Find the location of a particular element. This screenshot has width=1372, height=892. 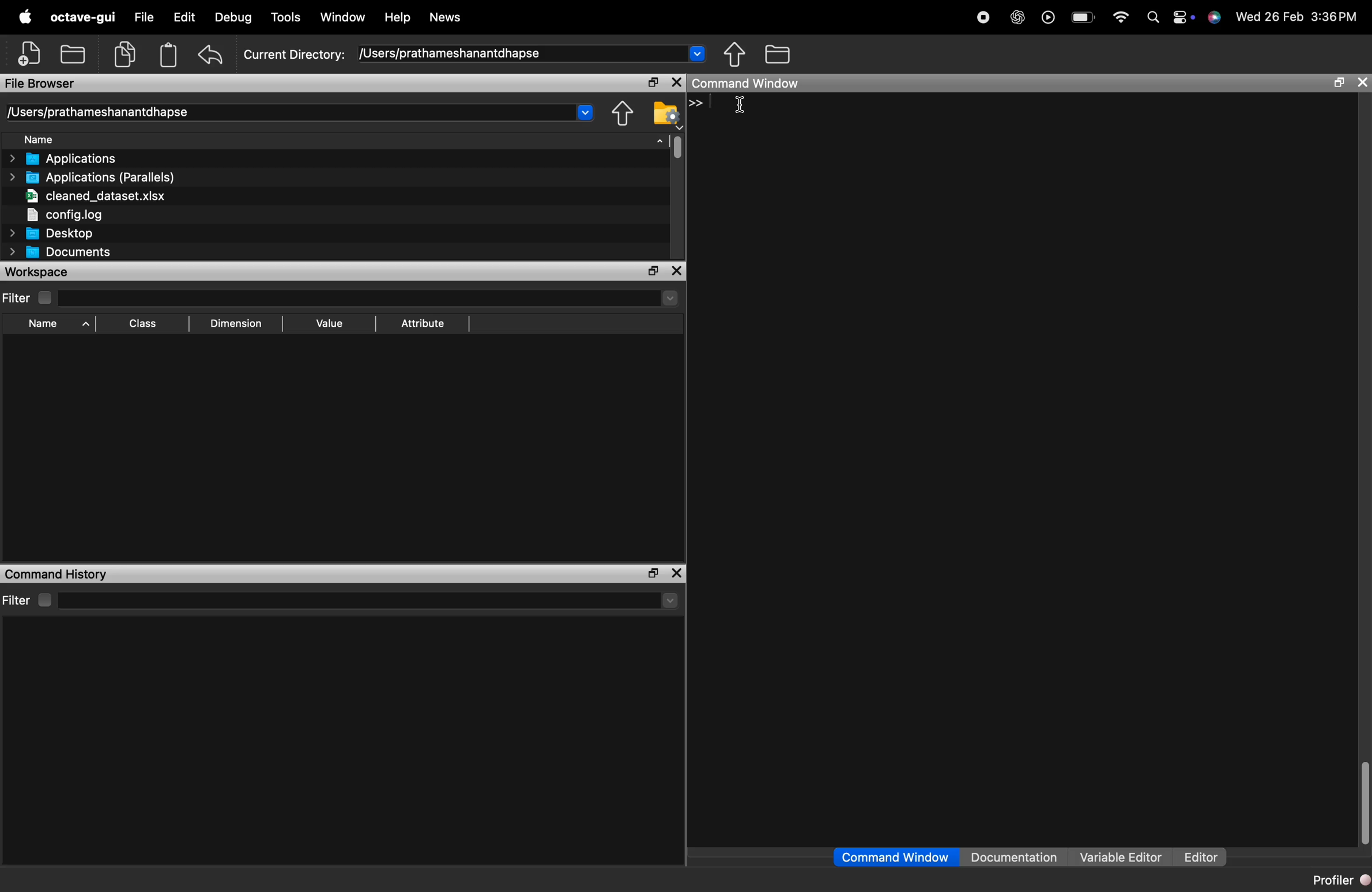

Dimension is located at coordinates (233, 324).